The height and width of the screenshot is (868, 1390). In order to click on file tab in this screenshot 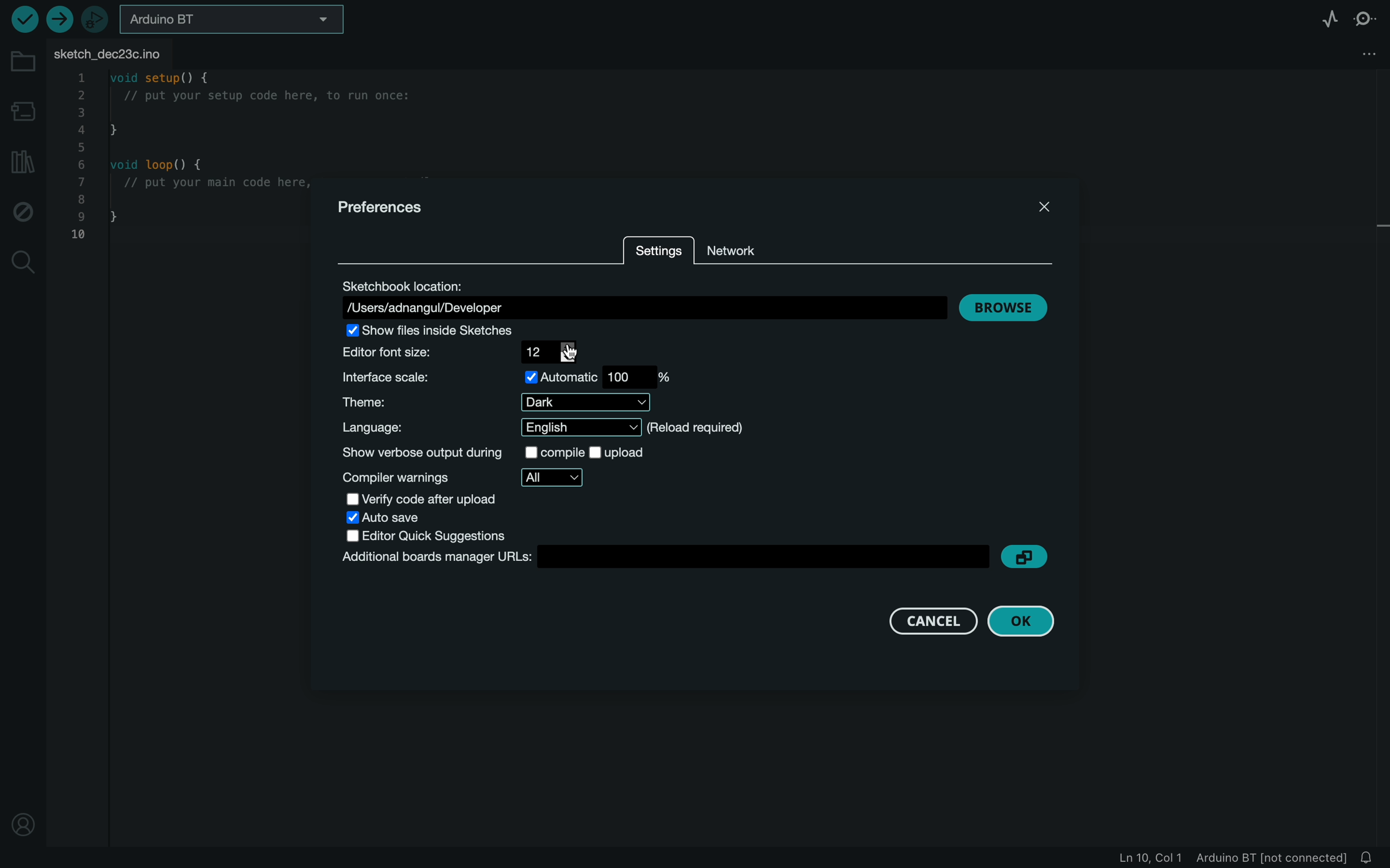, I will do `click(114, 51)`.